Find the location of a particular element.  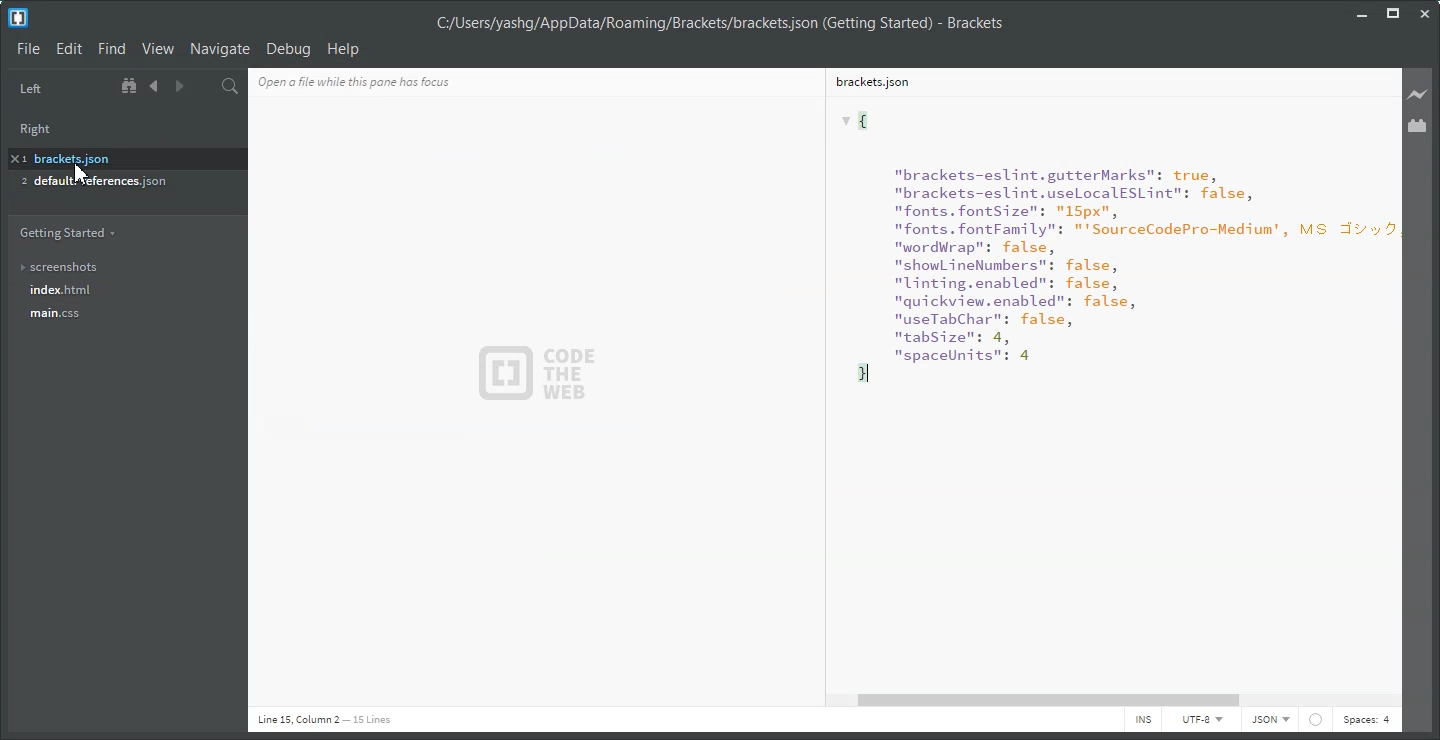

Help is located at coordinates (344, 48).